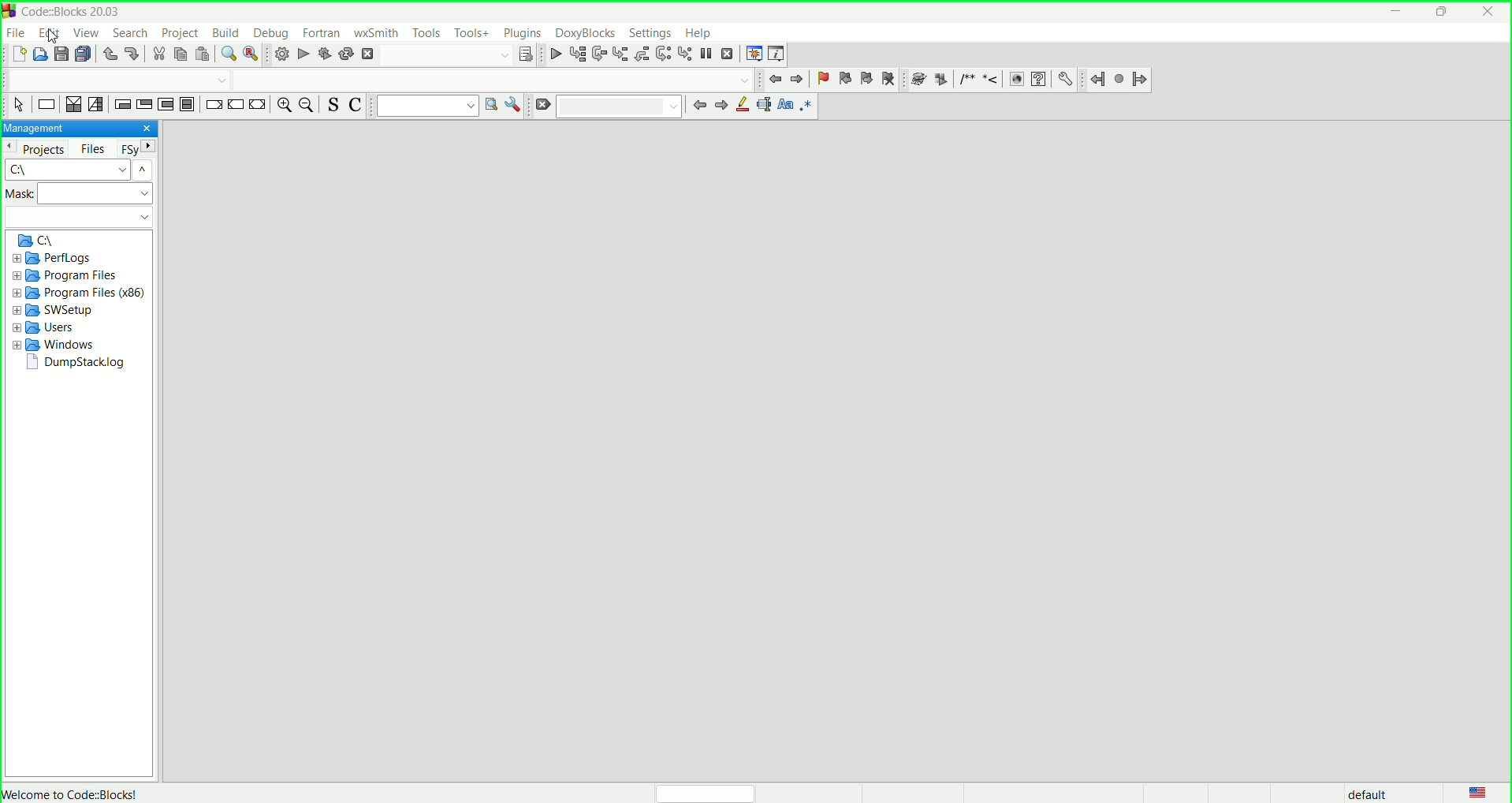 The height and width of the screenshot is (803, 1512). What do you see at coordinates (443, 55) in the screenshot?
I see `Search` at bounding box center [443, 55].